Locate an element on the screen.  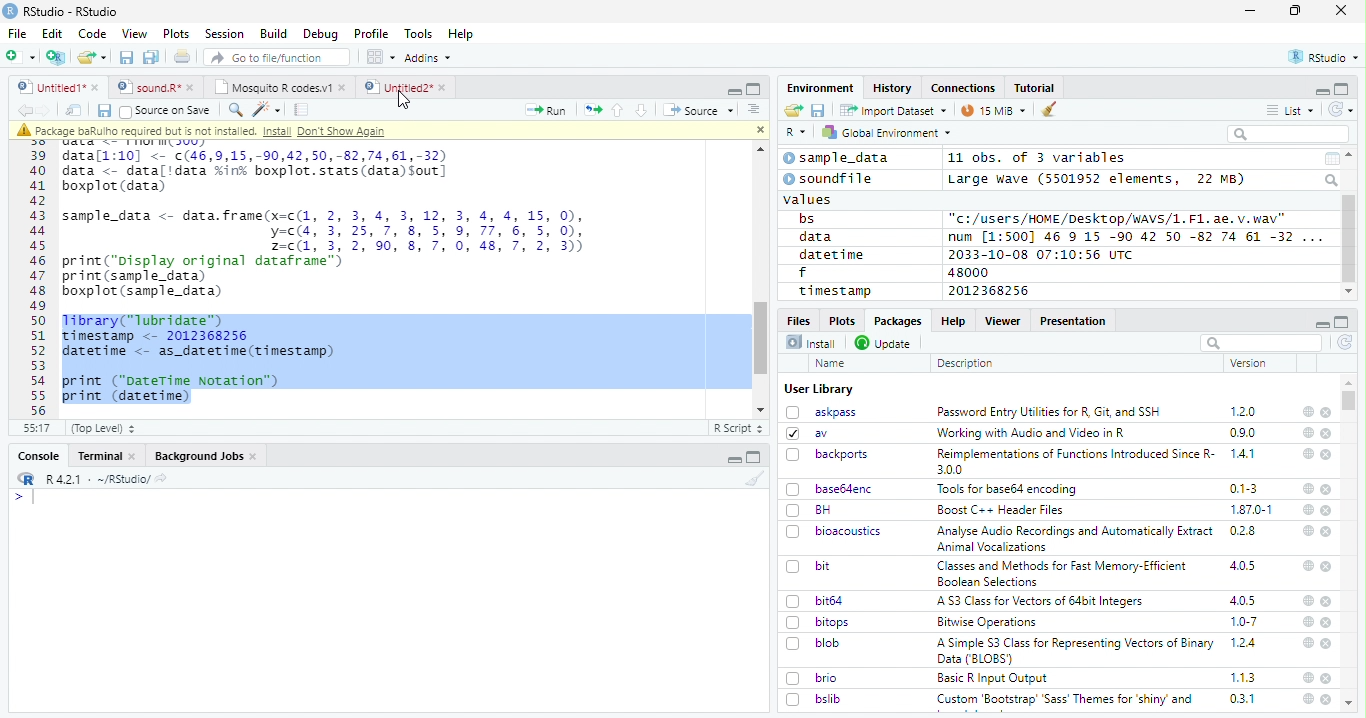
Basic R Input Output is located at coordinates (995, 678).